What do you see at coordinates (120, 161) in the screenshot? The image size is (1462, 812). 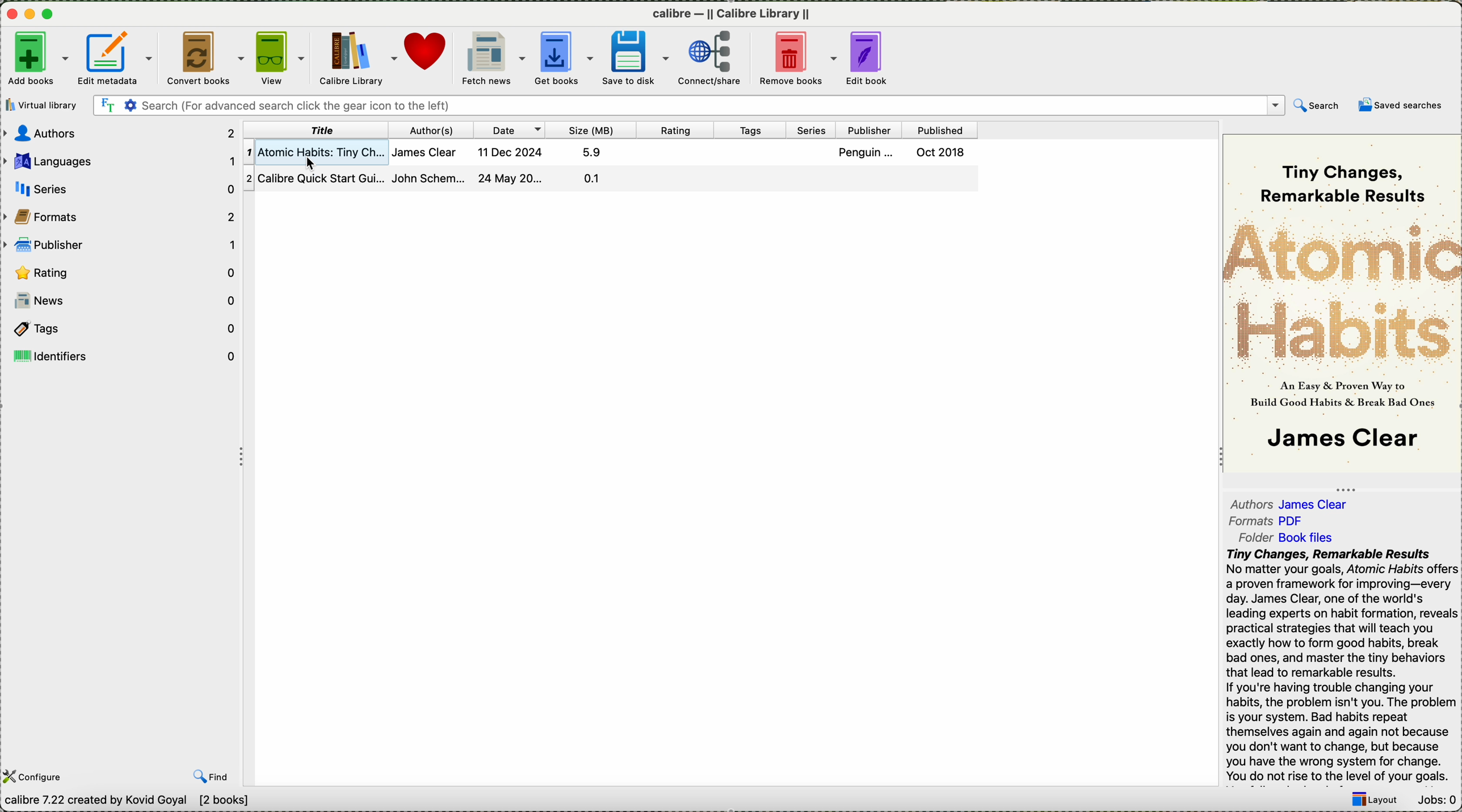 I see `languages` at bounding box center [120, 161].